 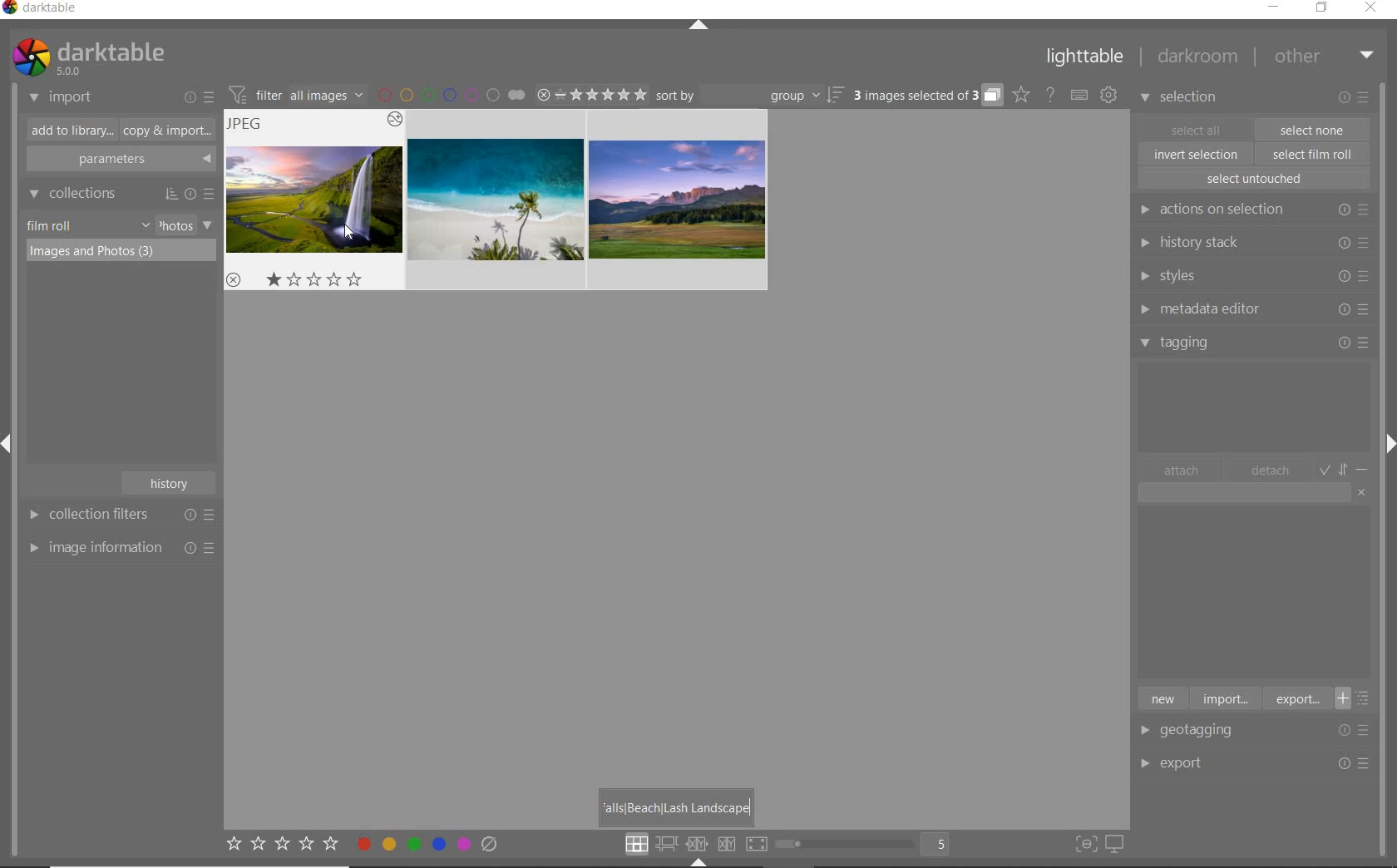 I want to click on range ratings of selected images, so click(x=591, y=92).